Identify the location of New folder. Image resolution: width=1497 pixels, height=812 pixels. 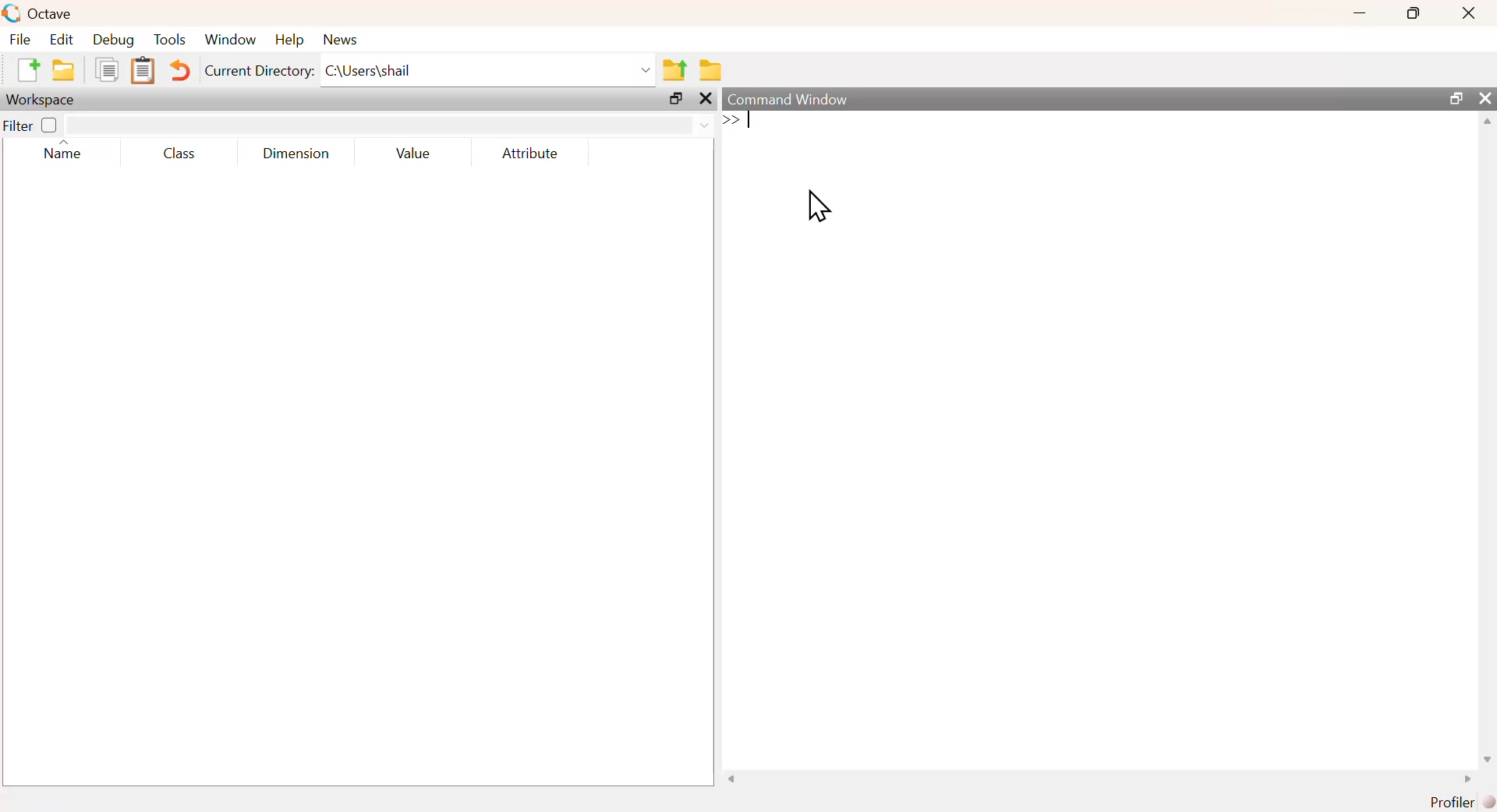
(65, 70).